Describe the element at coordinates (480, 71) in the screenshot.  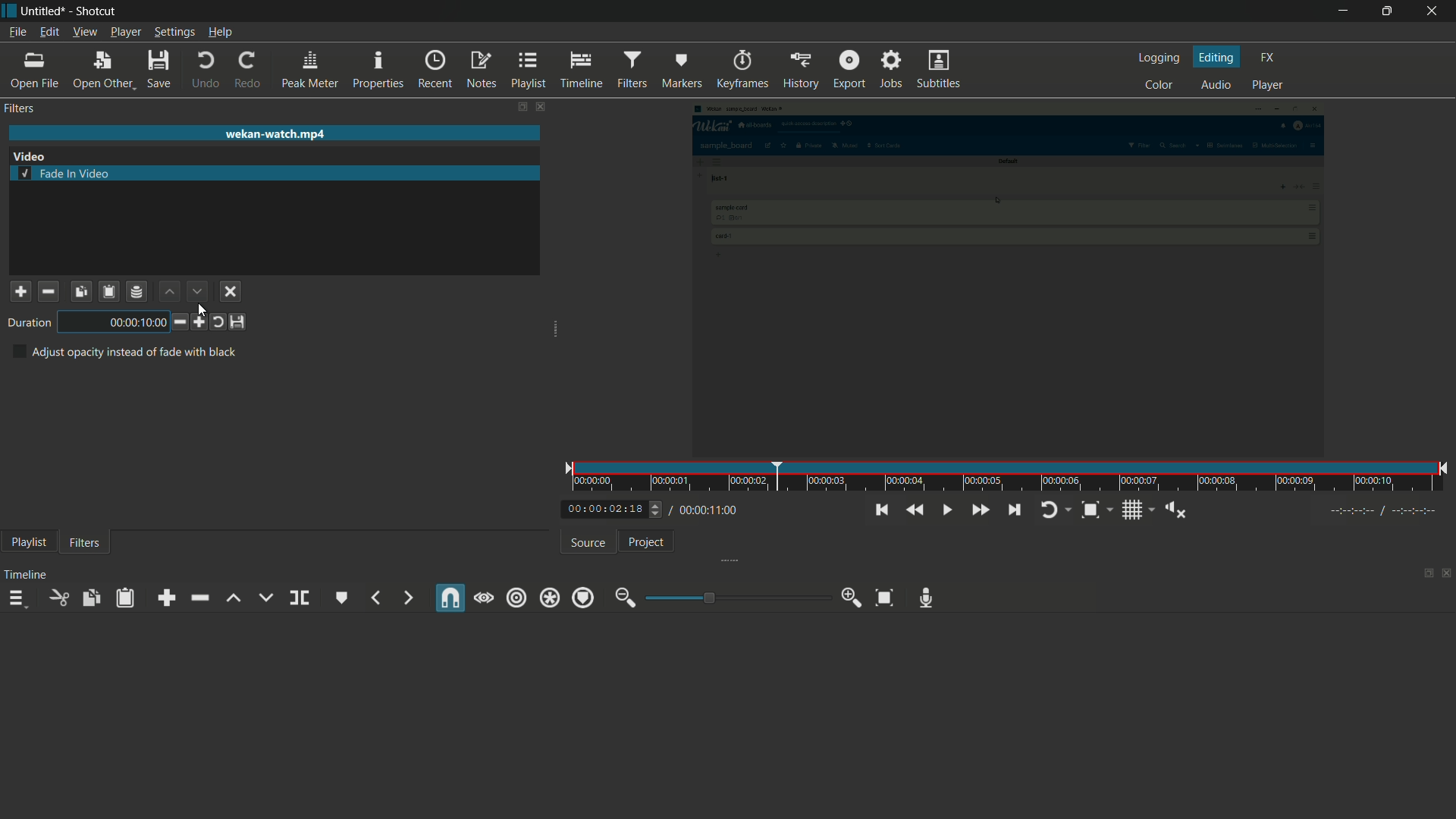
I see `notes` at that location.